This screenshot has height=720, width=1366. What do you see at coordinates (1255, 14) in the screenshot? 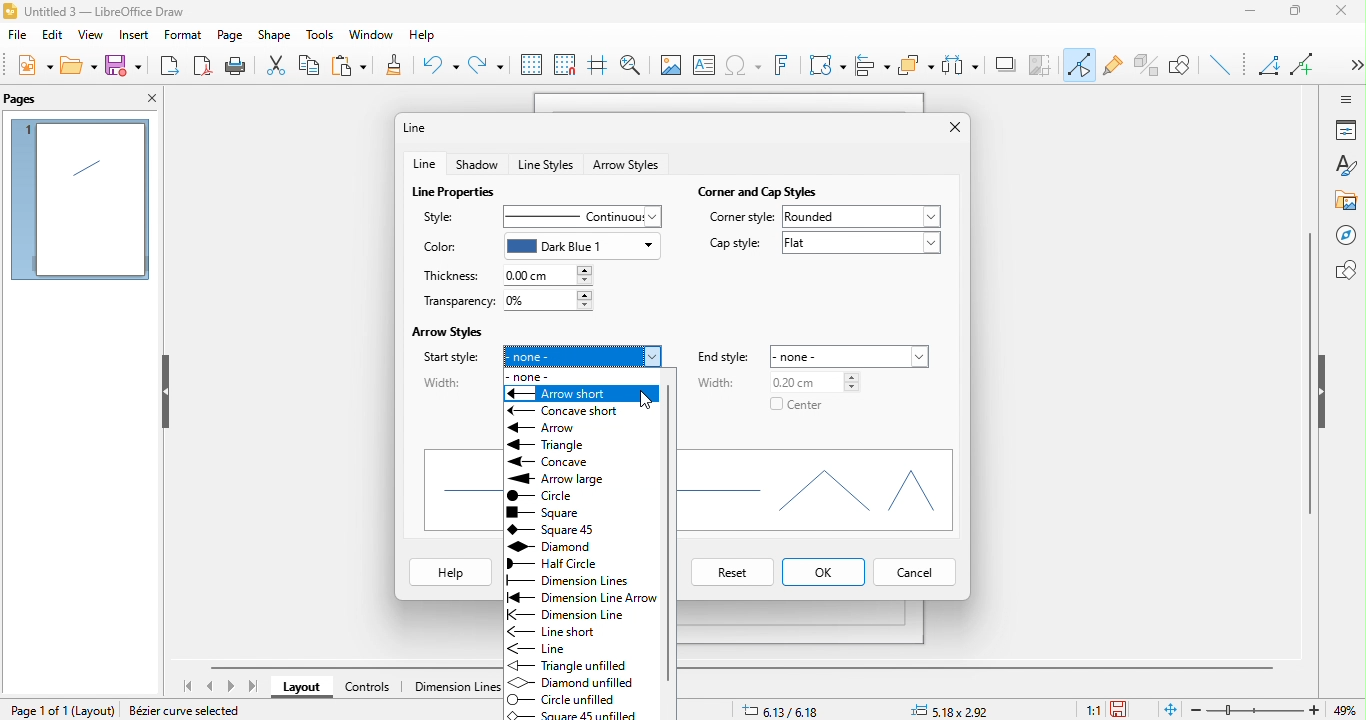
I see `minimize` at bounding box center [1255, 14].